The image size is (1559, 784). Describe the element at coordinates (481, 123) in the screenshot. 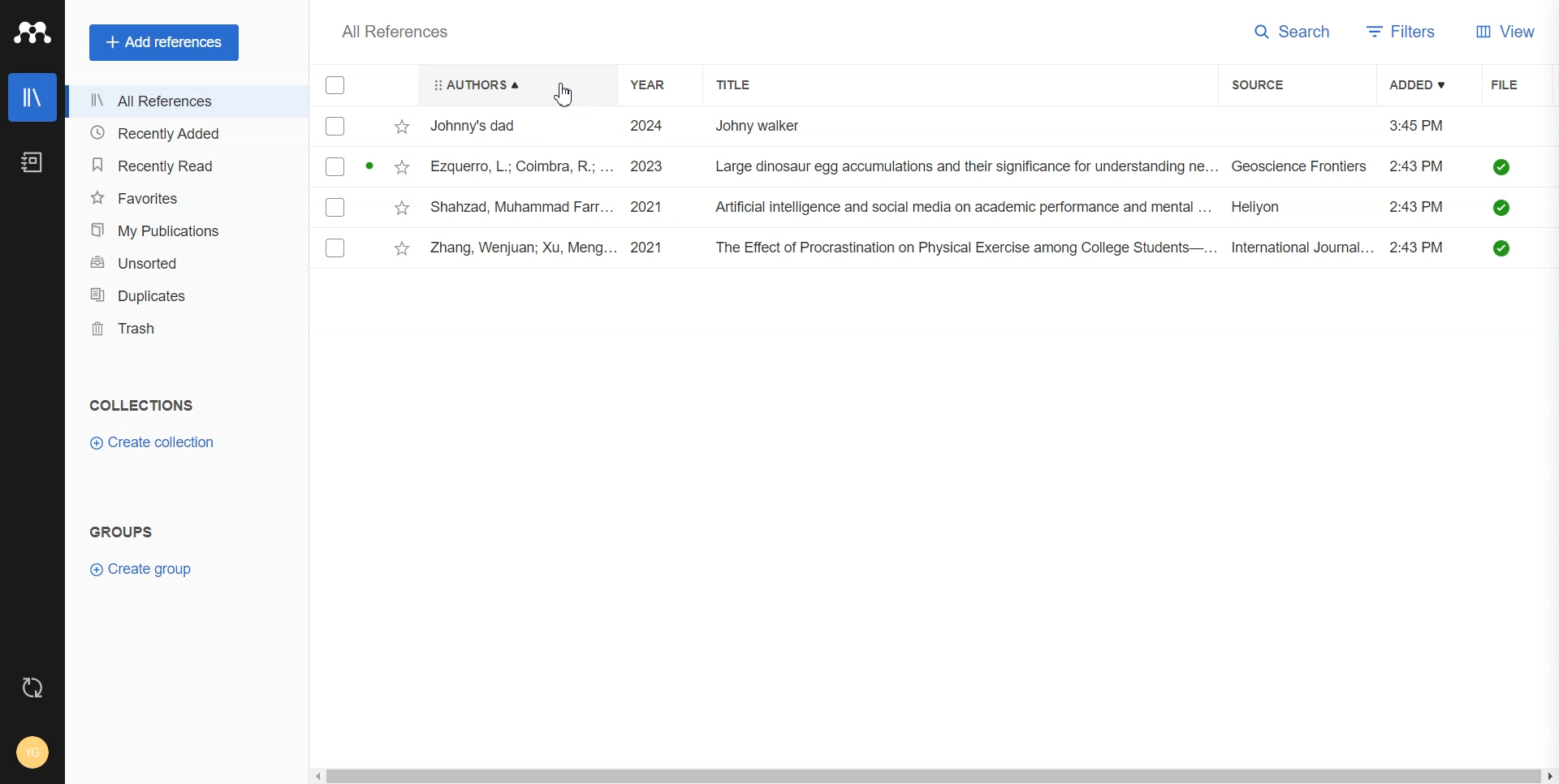

I see `Johnny's Dad` at that location.